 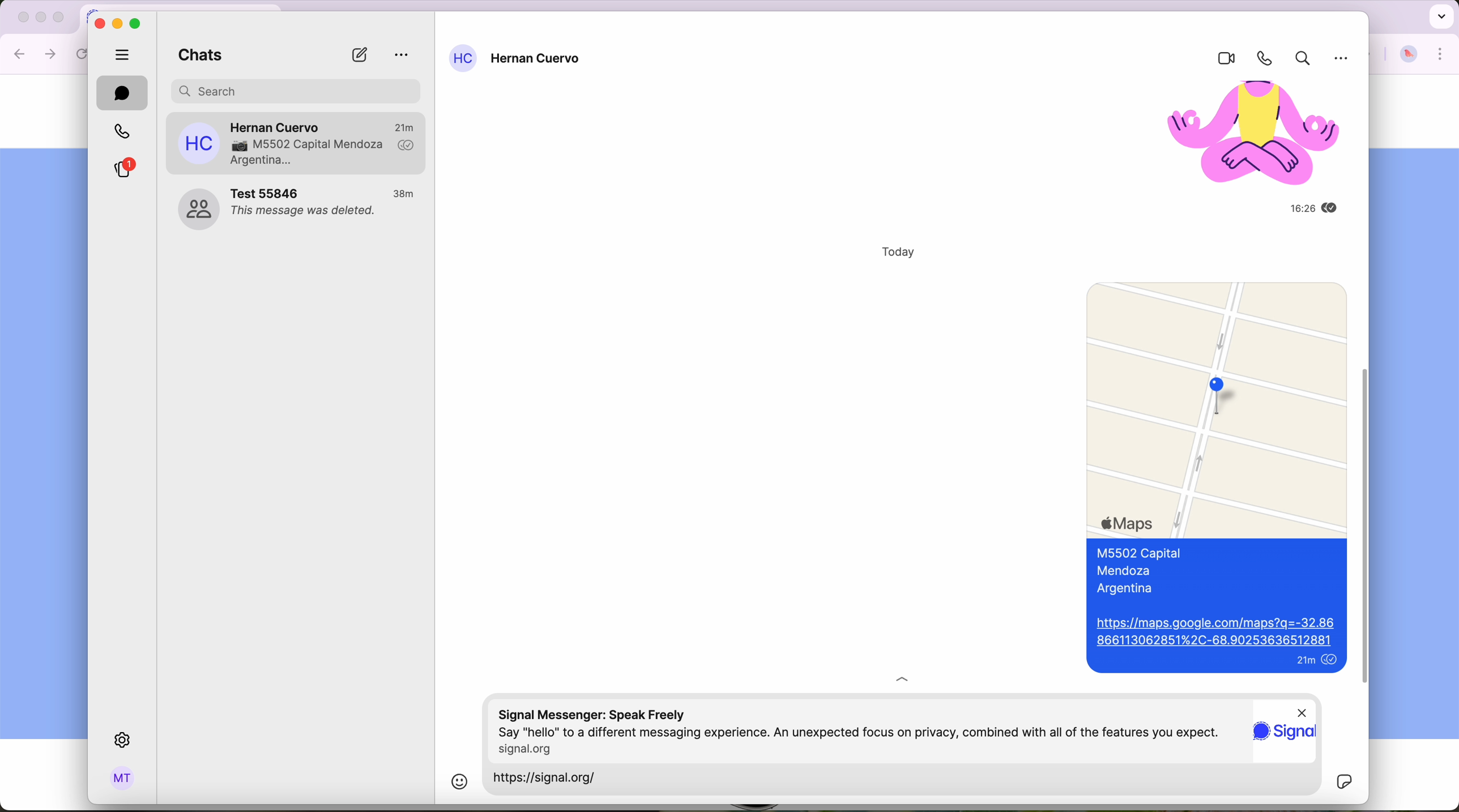 I want to click on hide tabs, so click(x=123, y=53).